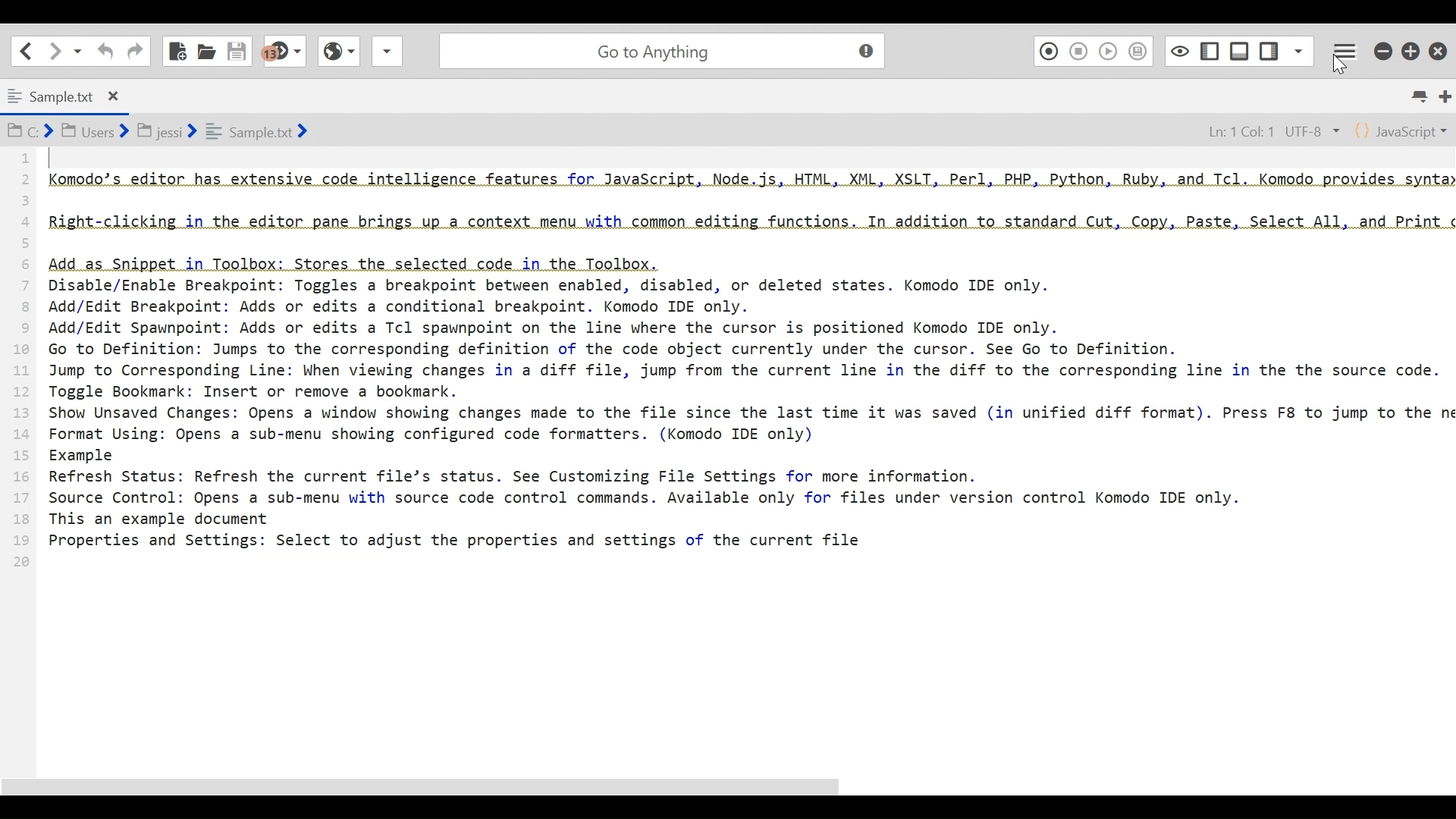 The height and width of the screenshot is (819, 1456). What do you see at coordinates (68, 94) in the screenshot?
I see `Current Tab` at bounding box center [68, 94].